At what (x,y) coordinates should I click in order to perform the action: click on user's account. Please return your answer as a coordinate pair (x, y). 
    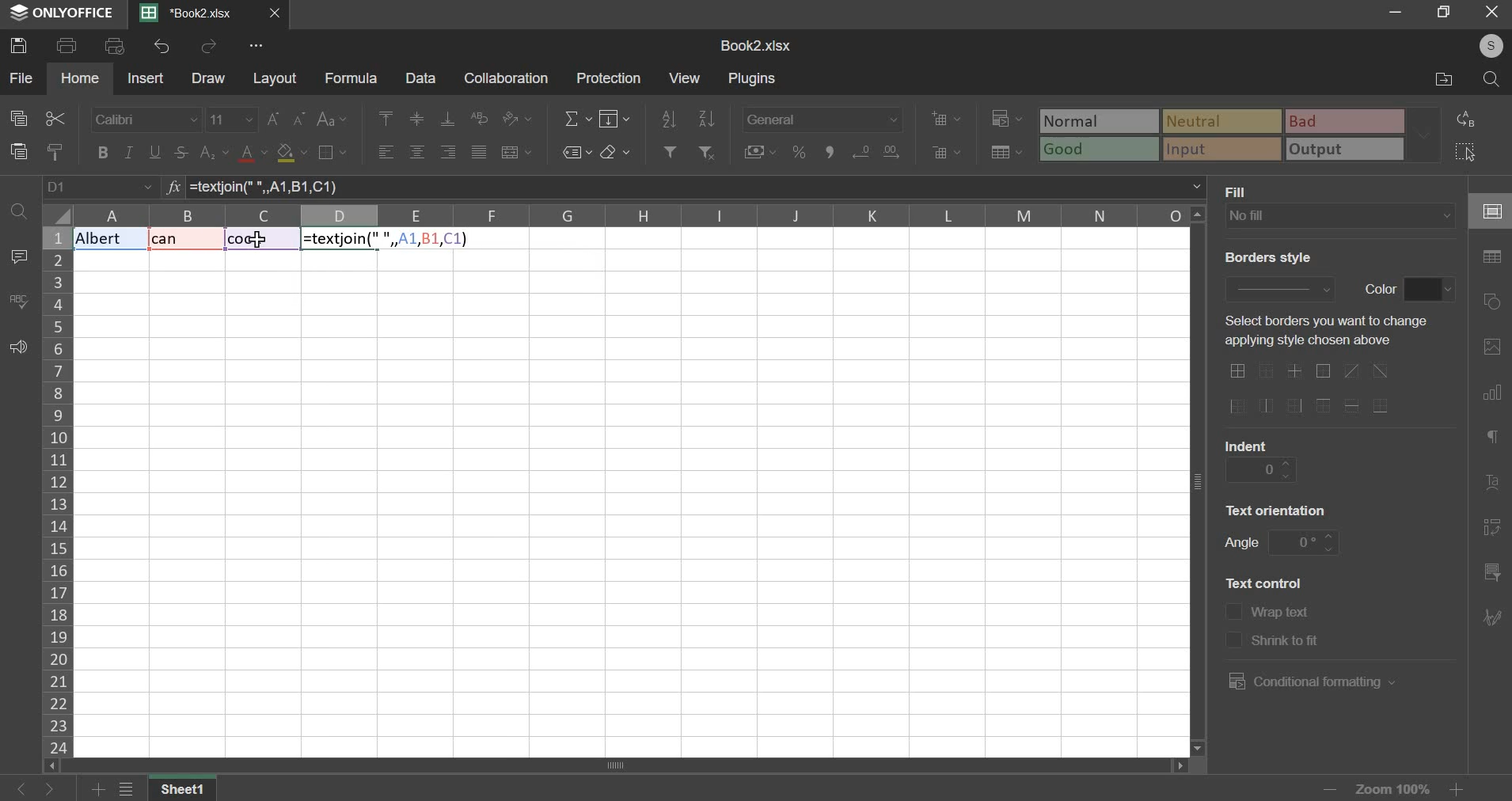
    Looking at the image, I should click on (1482, 44).